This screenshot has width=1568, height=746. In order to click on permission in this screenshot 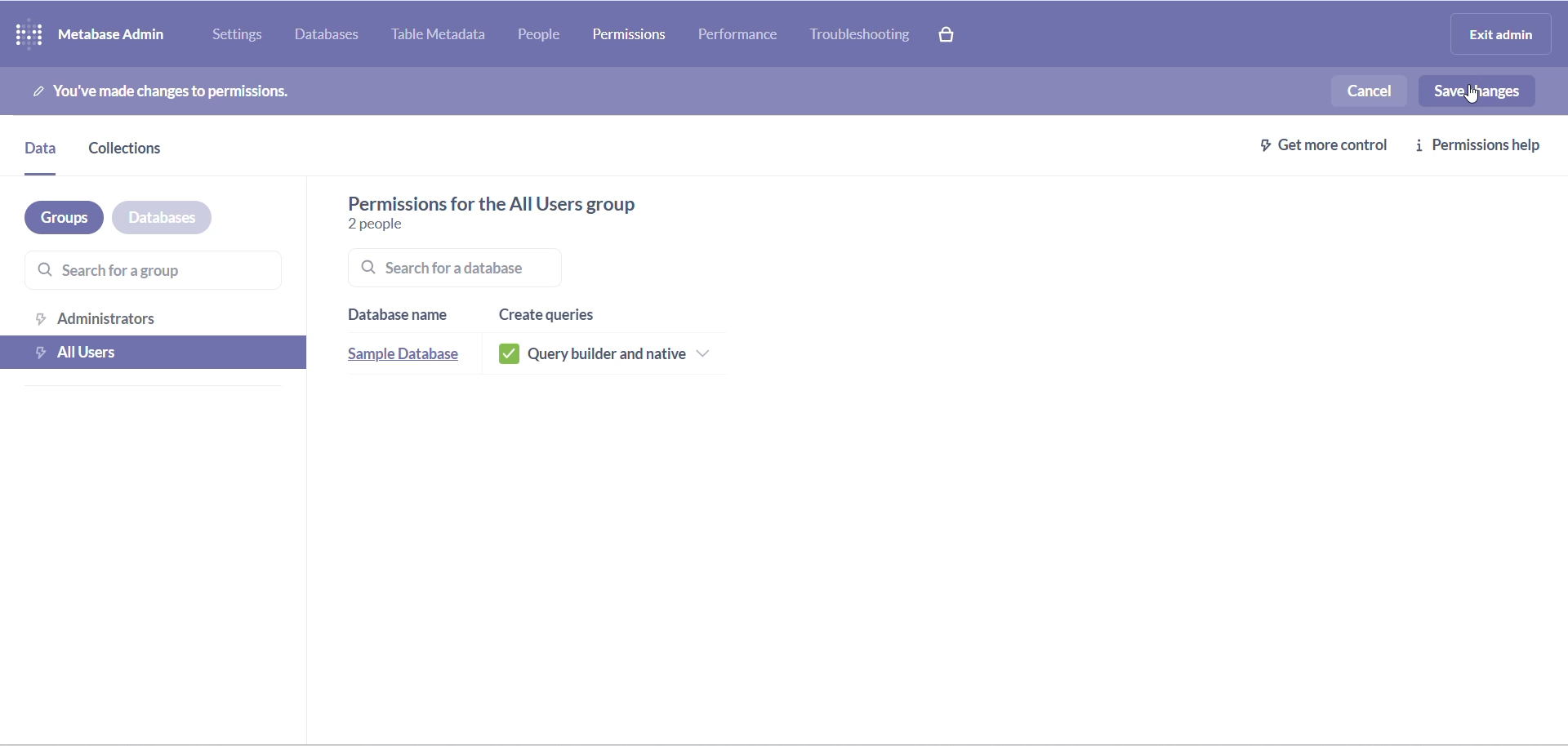, I will do `click(630, 33)`.